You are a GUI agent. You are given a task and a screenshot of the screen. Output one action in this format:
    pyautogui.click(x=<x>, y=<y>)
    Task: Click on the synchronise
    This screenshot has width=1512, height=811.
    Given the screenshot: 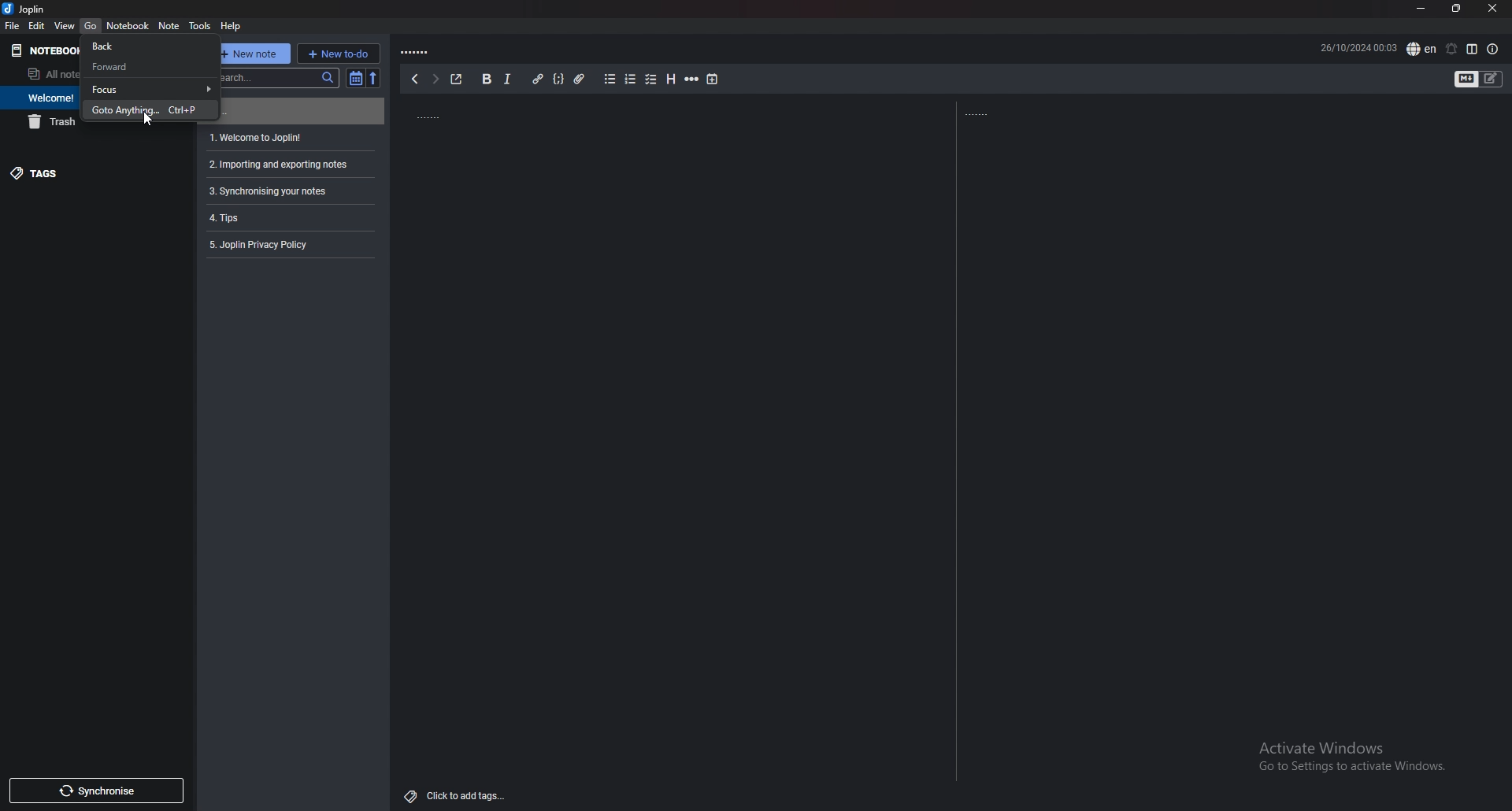 What is the action you would take?
    pyautogui.click(x=97, y=790)
    